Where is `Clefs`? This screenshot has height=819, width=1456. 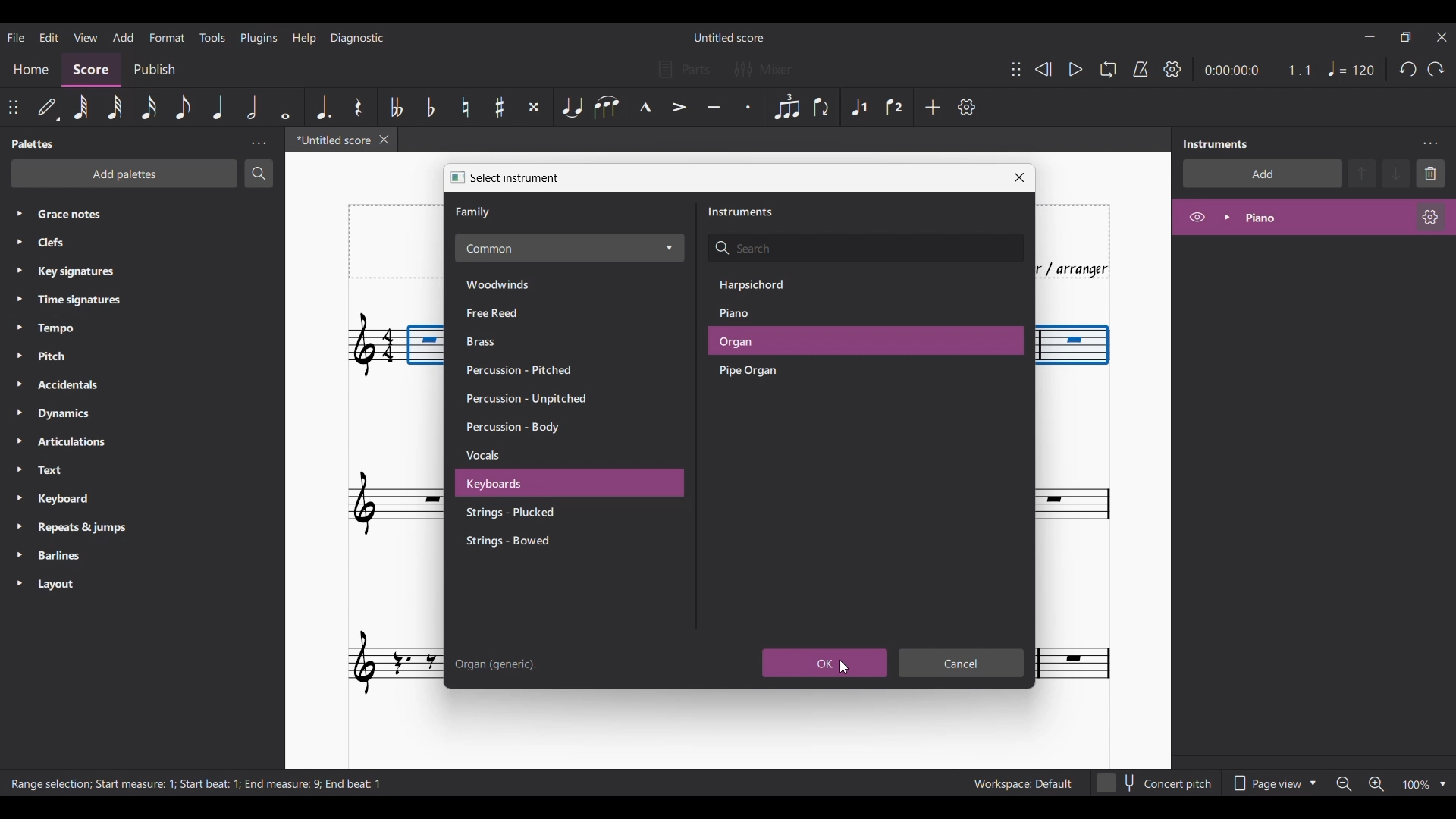 Clefs is located at coordinates (121, 243).